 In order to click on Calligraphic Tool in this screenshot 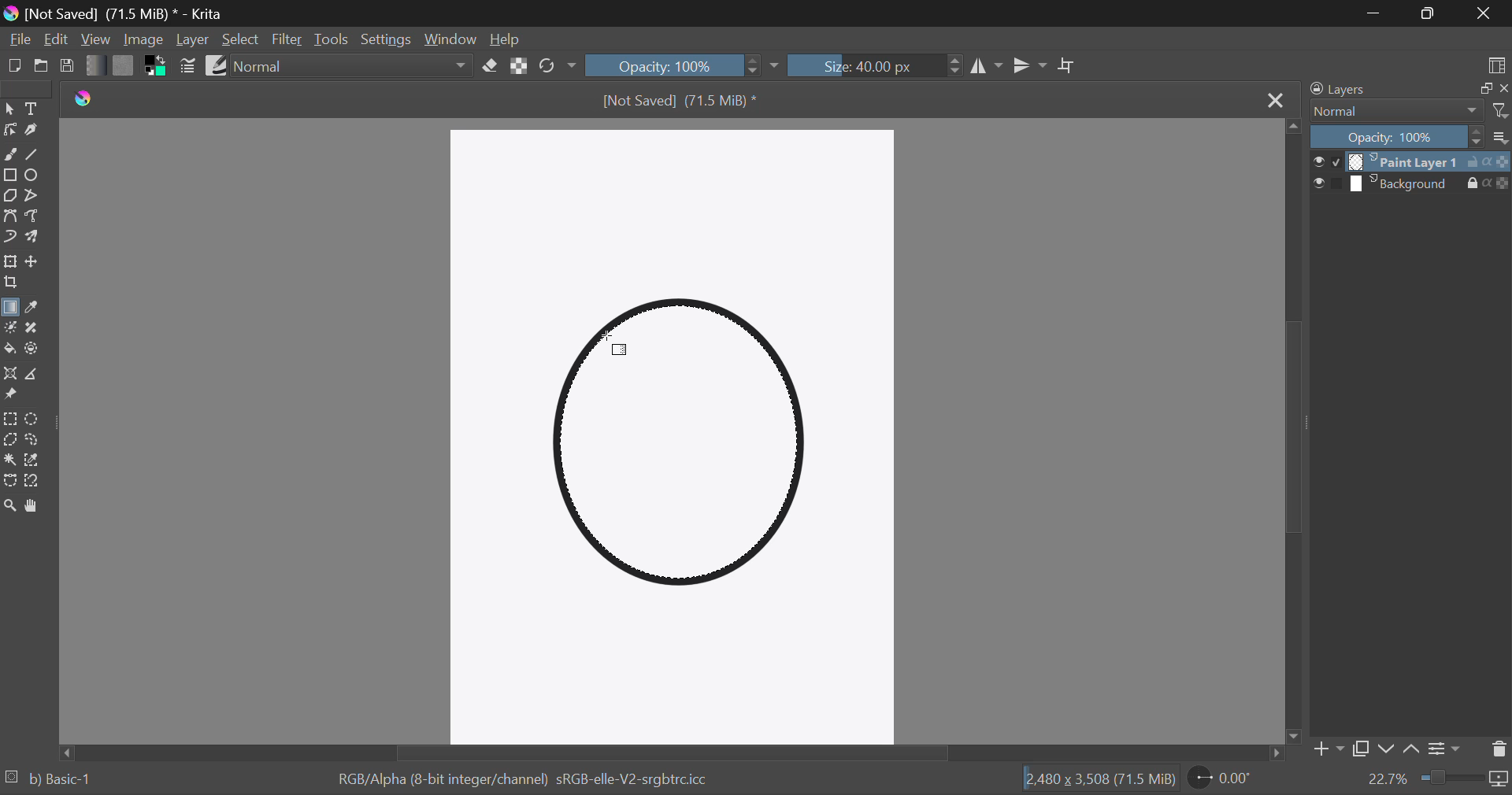, I will do `click(34, 133)`.